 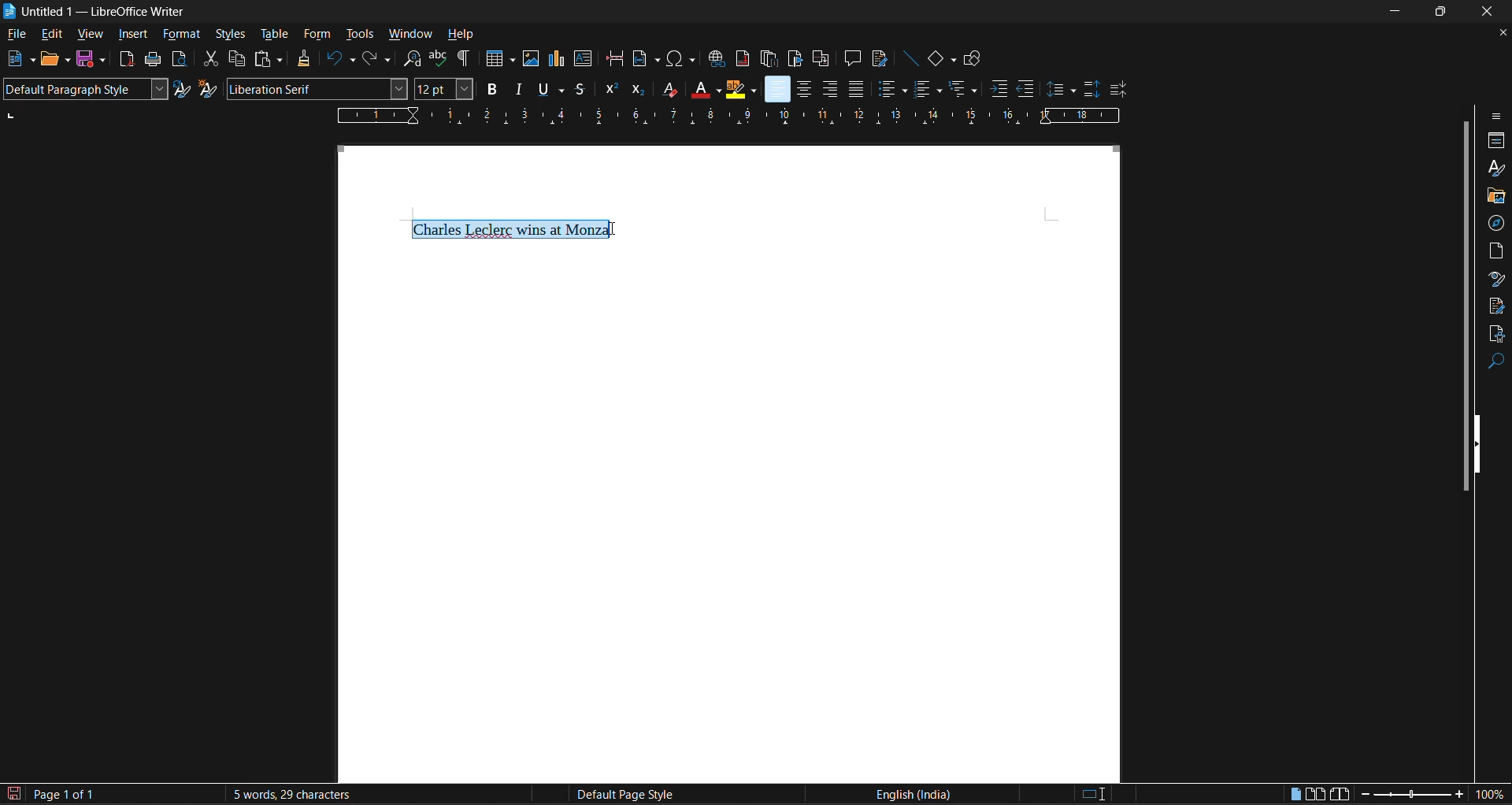 What do you see at coordinates (976, 60) in the screenshot?
I see `show draw functions` at bounding box center [976, 60].